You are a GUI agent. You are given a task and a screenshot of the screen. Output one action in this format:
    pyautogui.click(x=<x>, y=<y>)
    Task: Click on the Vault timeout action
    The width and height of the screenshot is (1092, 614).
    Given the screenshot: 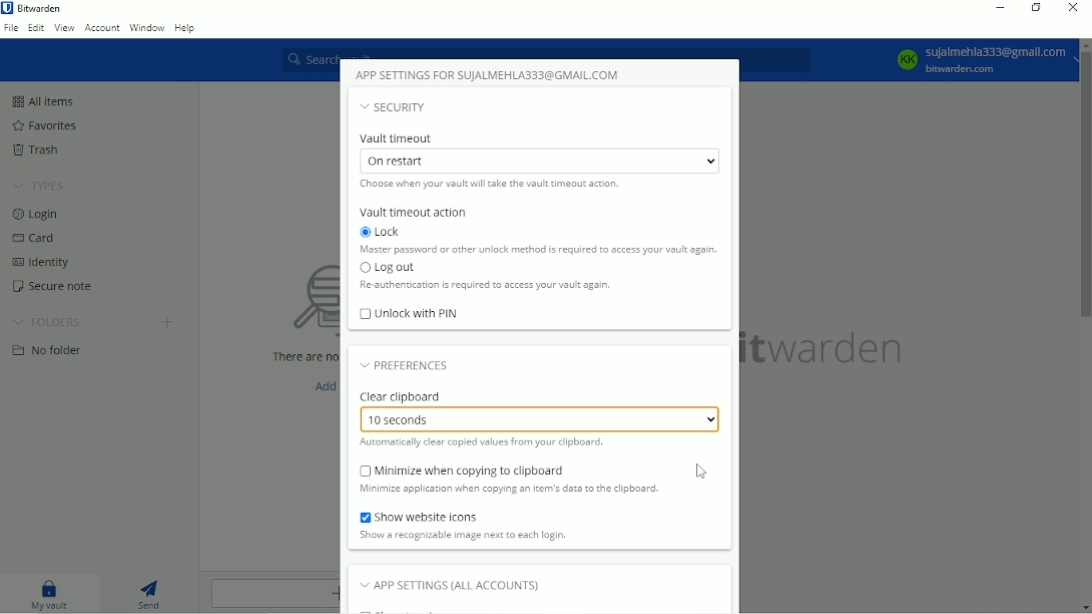 What is the action you would take?
    pyautogui.click(x=416, y=213)
    